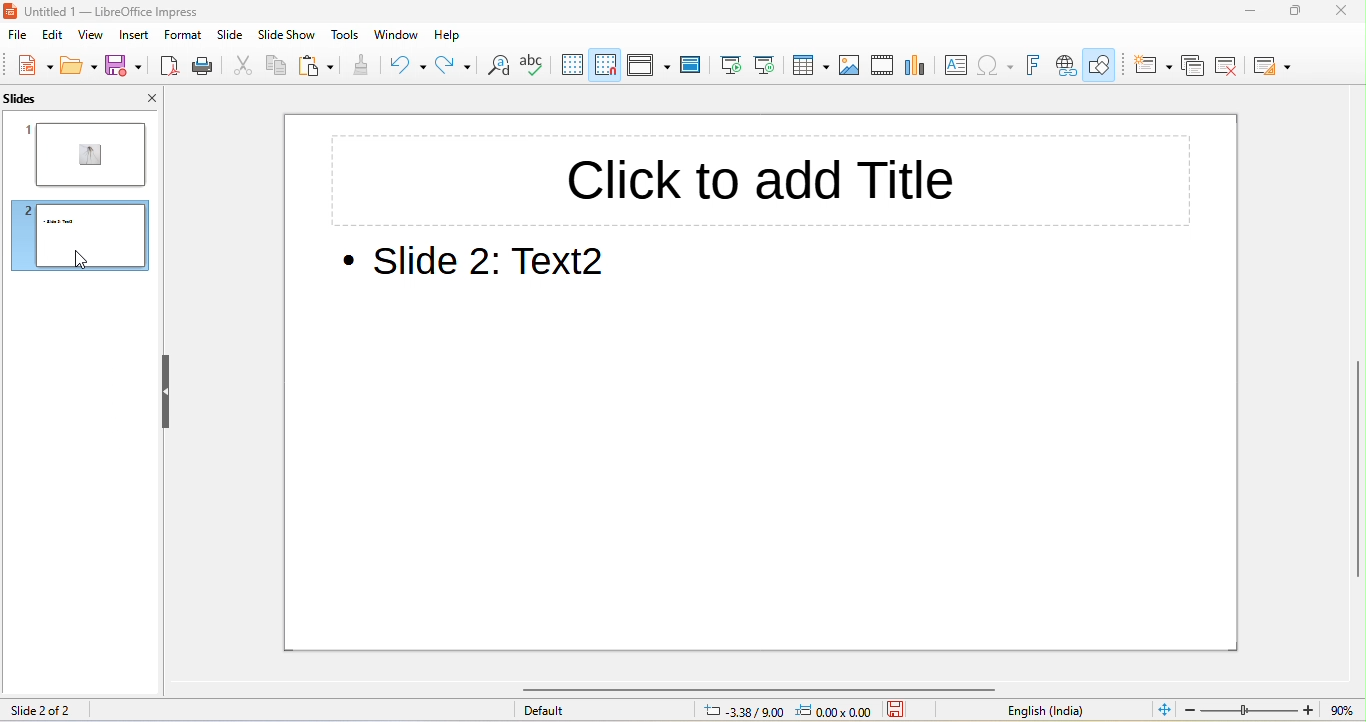 The image size is (1366, 722). What do you see at coordinates (1036, 710) in the screenshot?
I see `text language` at bounding box center [1036, 710].